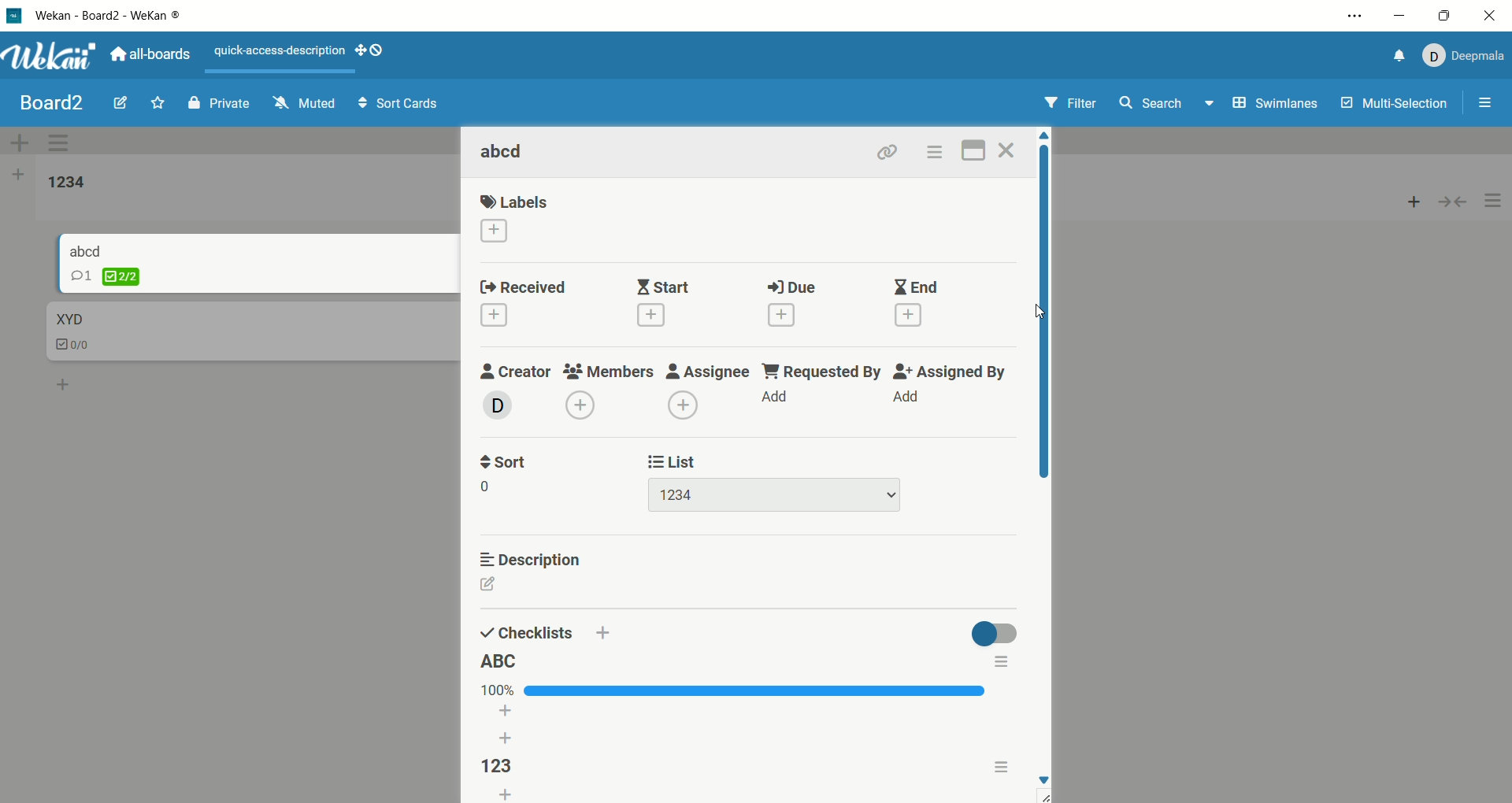 The image size is (1512, 803). What do you see at coordinates (75, 346) in the screenshot?
I see `checklist` at bounding box center [75, 346].